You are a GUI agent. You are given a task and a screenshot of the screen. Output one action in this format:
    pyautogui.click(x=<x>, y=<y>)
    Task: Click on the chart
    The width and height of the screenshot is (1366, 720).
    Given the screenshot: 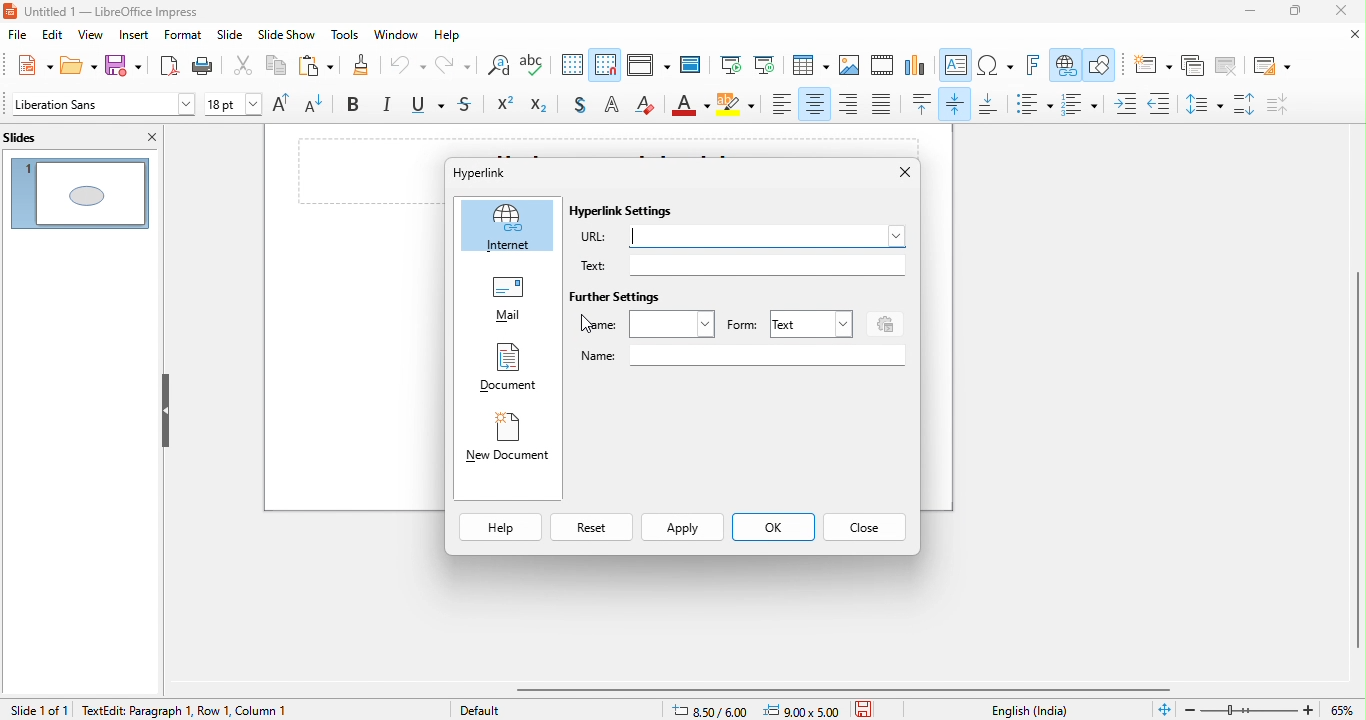 What is the action you would take?
    pyautogui.click(x=916, y=67)
    